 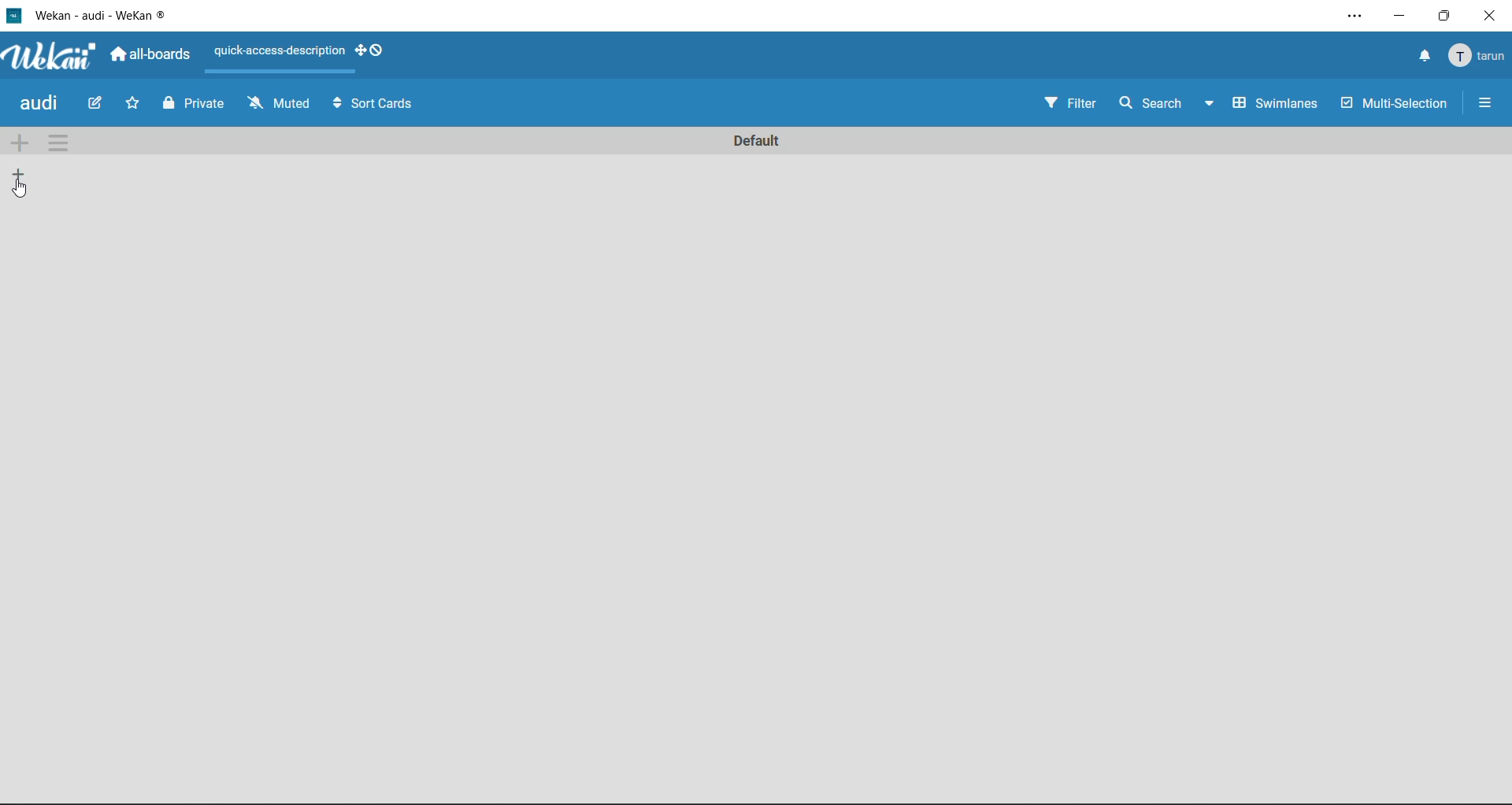 What do you see at coordinates (384, 106) in the screenshot?
I see `sort cards` at bounding box center [384, 106].